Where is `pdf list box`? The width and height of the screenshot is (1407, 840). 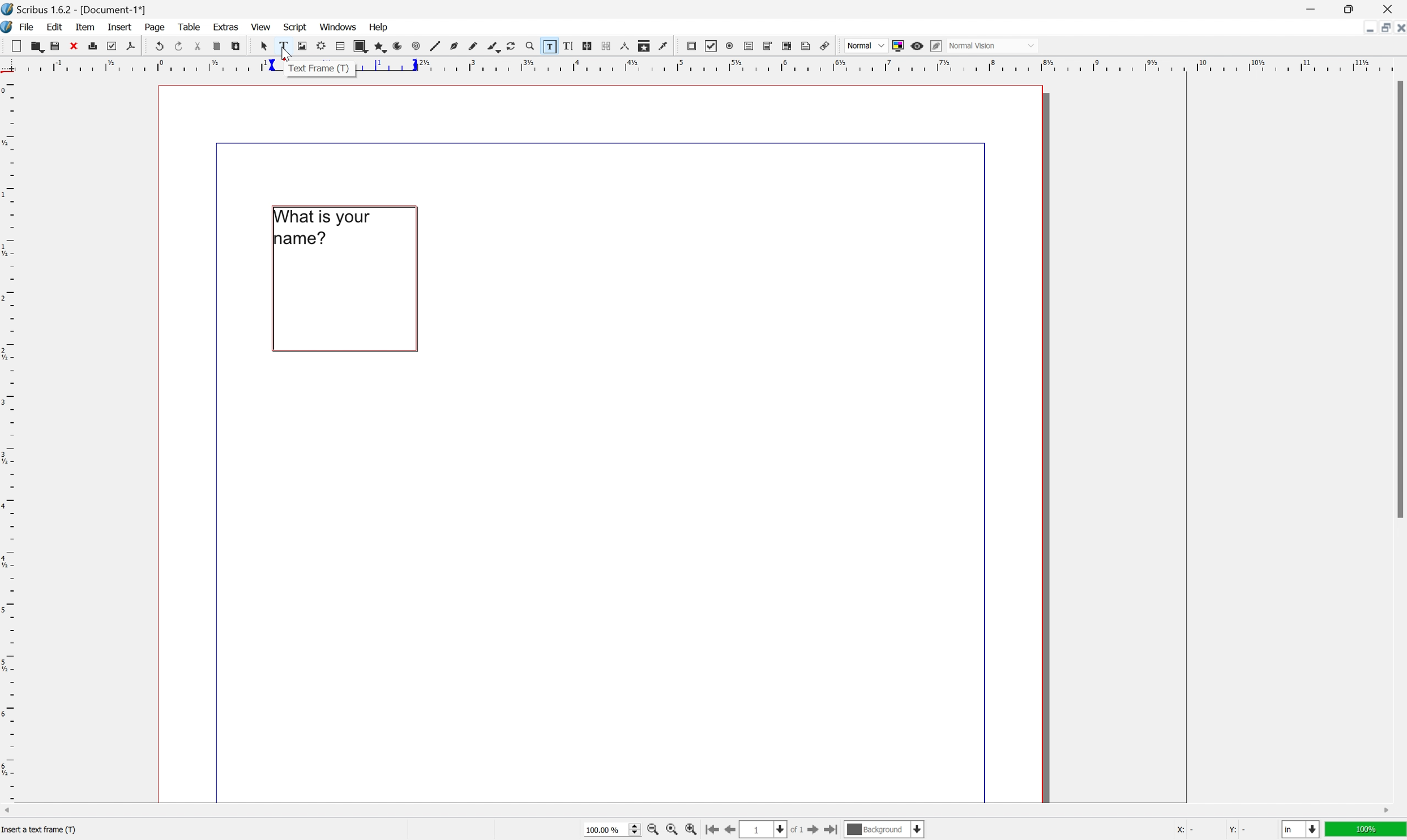
pdf list box is located at coordinates (786, 45).